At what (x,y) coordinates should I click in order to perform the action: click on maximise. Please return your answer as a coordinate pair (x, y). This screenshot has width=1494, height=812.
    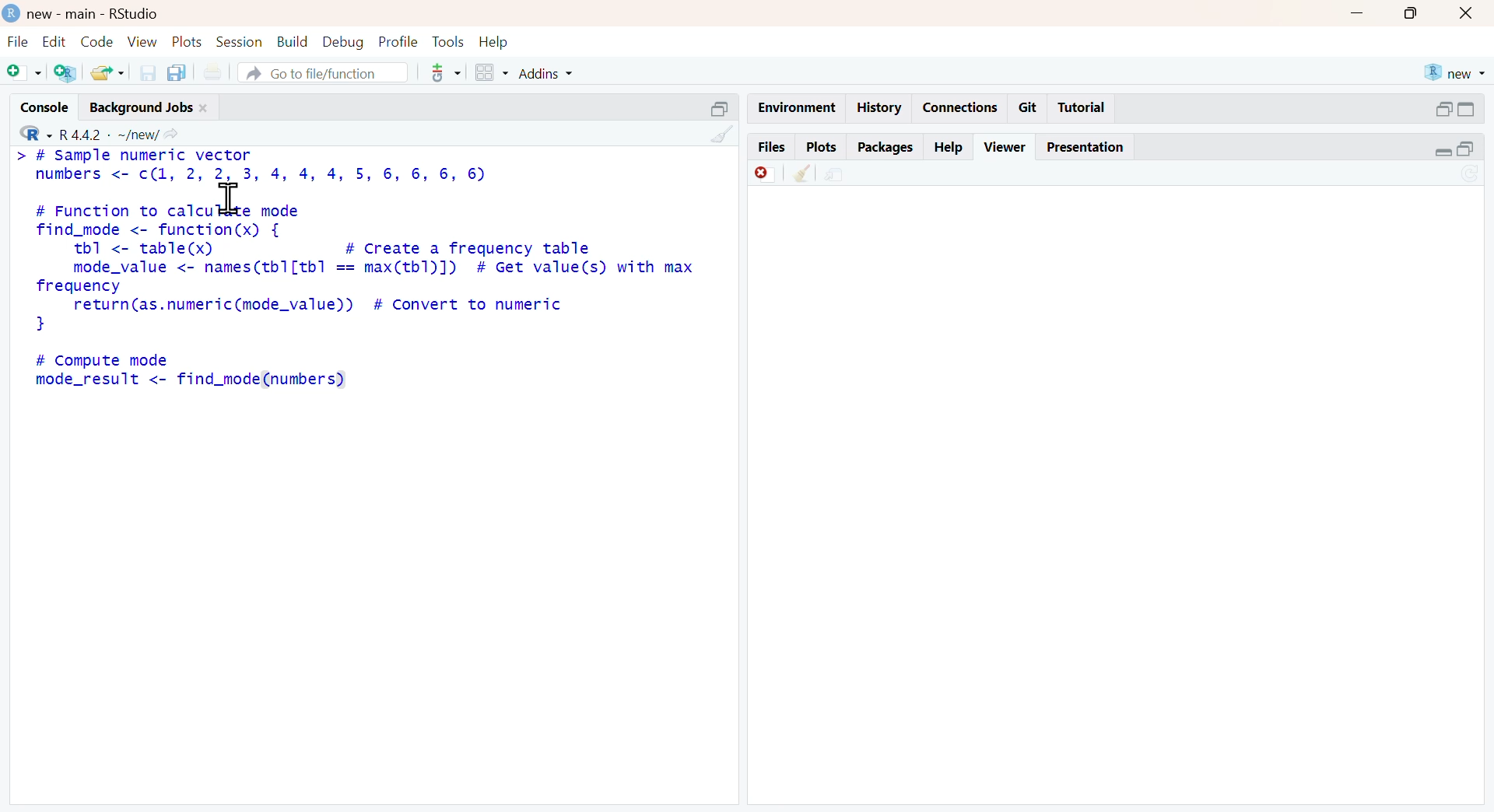
    Looking at the image, I should click on (1409, 13).